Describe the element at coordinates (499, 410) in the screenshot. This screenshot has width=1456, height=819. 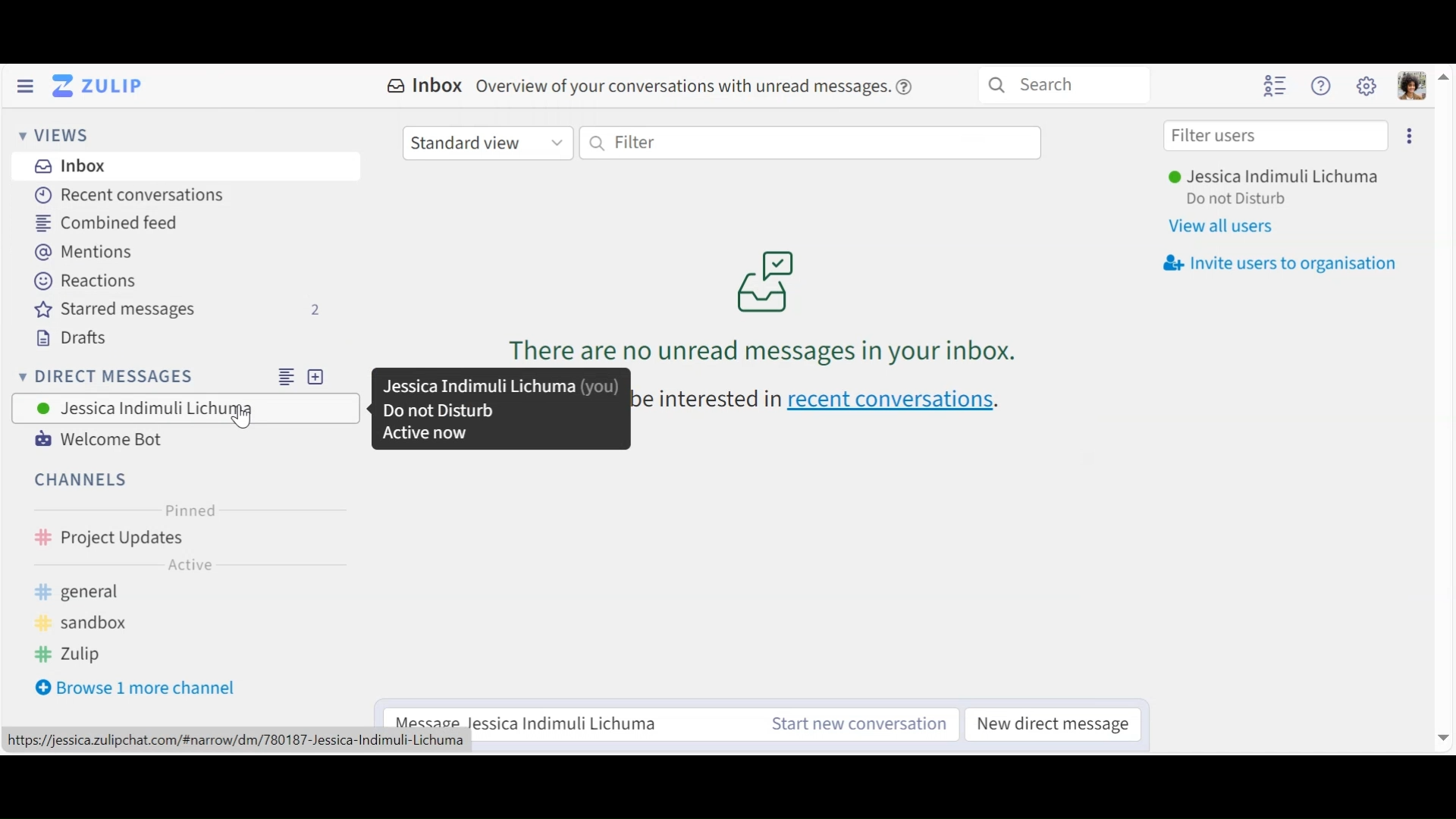
I see `pop up` at that location.